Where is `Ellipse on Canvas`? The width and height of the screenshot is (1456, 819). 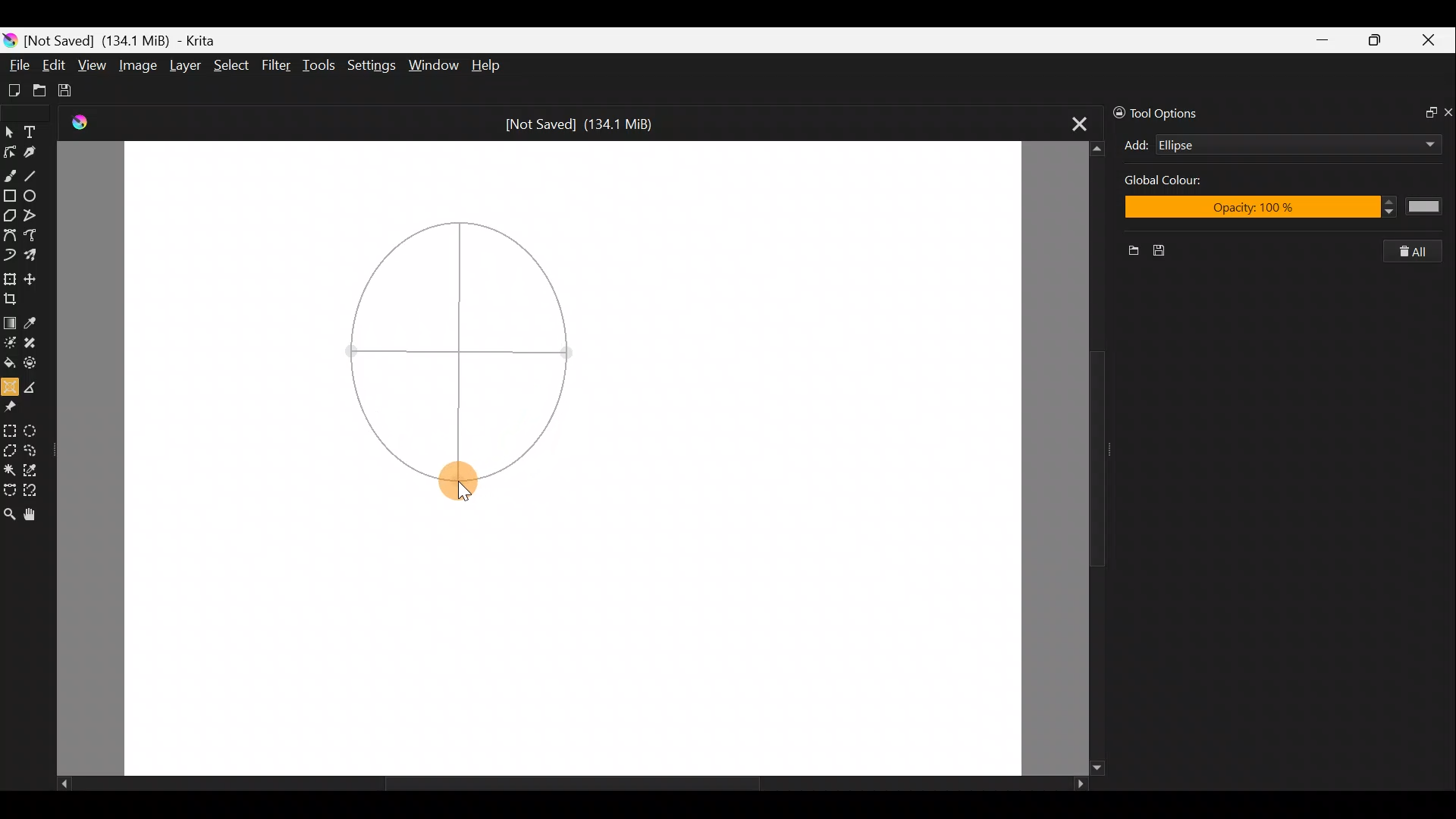 Ellipse on Canvas is located at coordinates (457, 334).